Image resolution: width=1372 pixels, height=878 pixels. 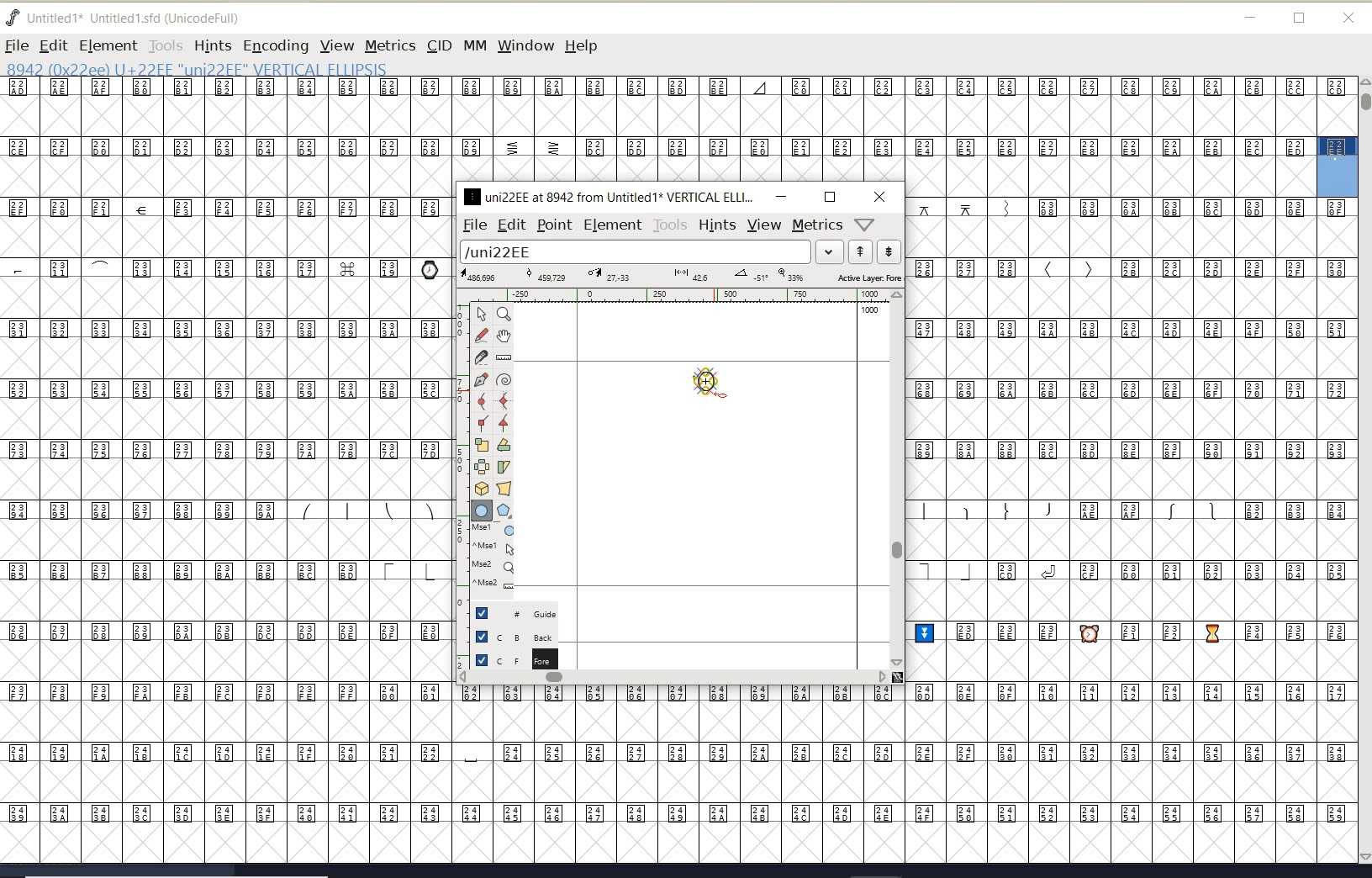 What do you see at coordinates (481, 378) in the screenshot?
I see `add a point, then drag out its control points` at bounding box center [481, 378].